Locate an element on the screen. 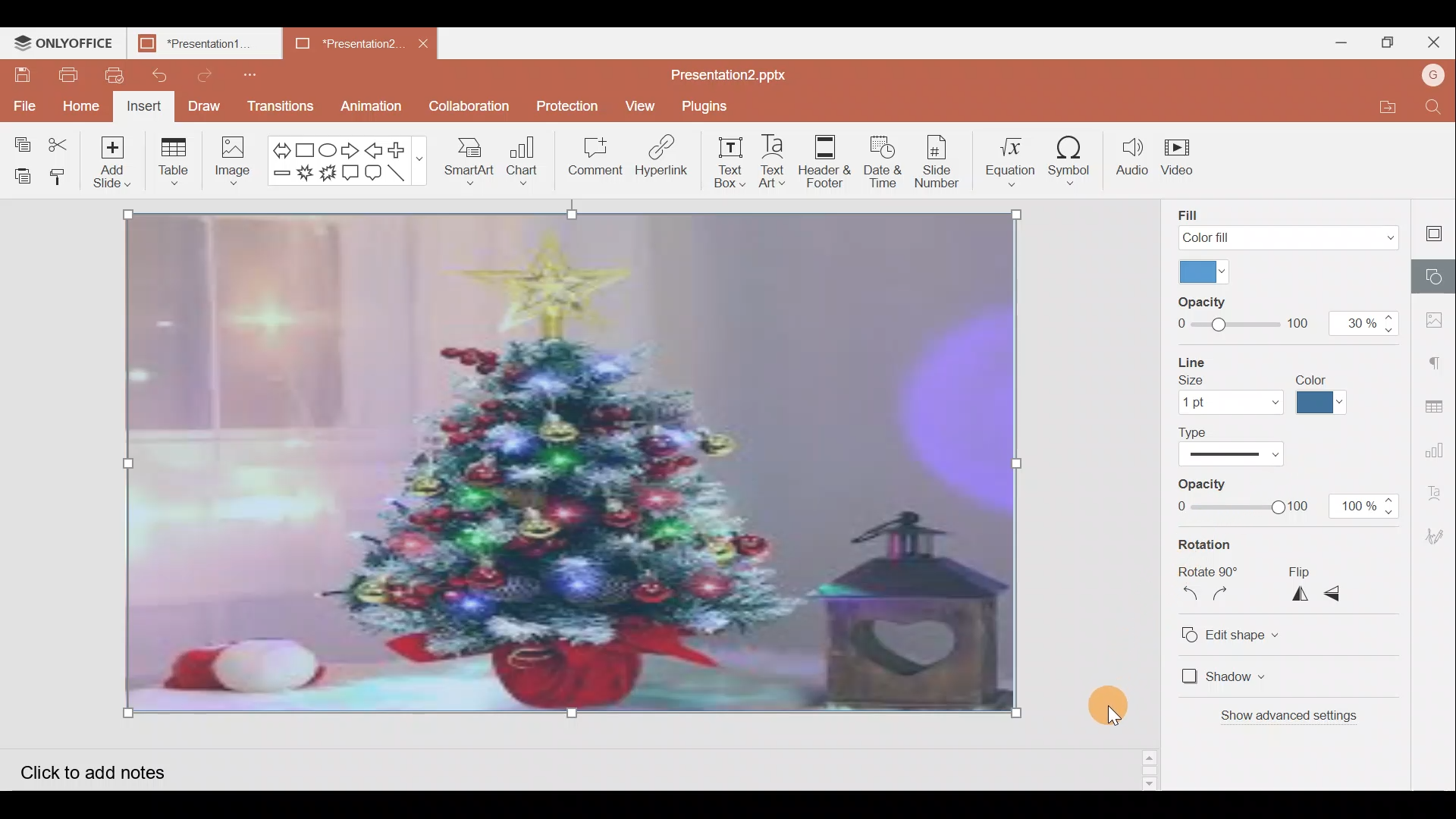 The image size is (1456, 819). Cut is located at coordinates (61, 140).